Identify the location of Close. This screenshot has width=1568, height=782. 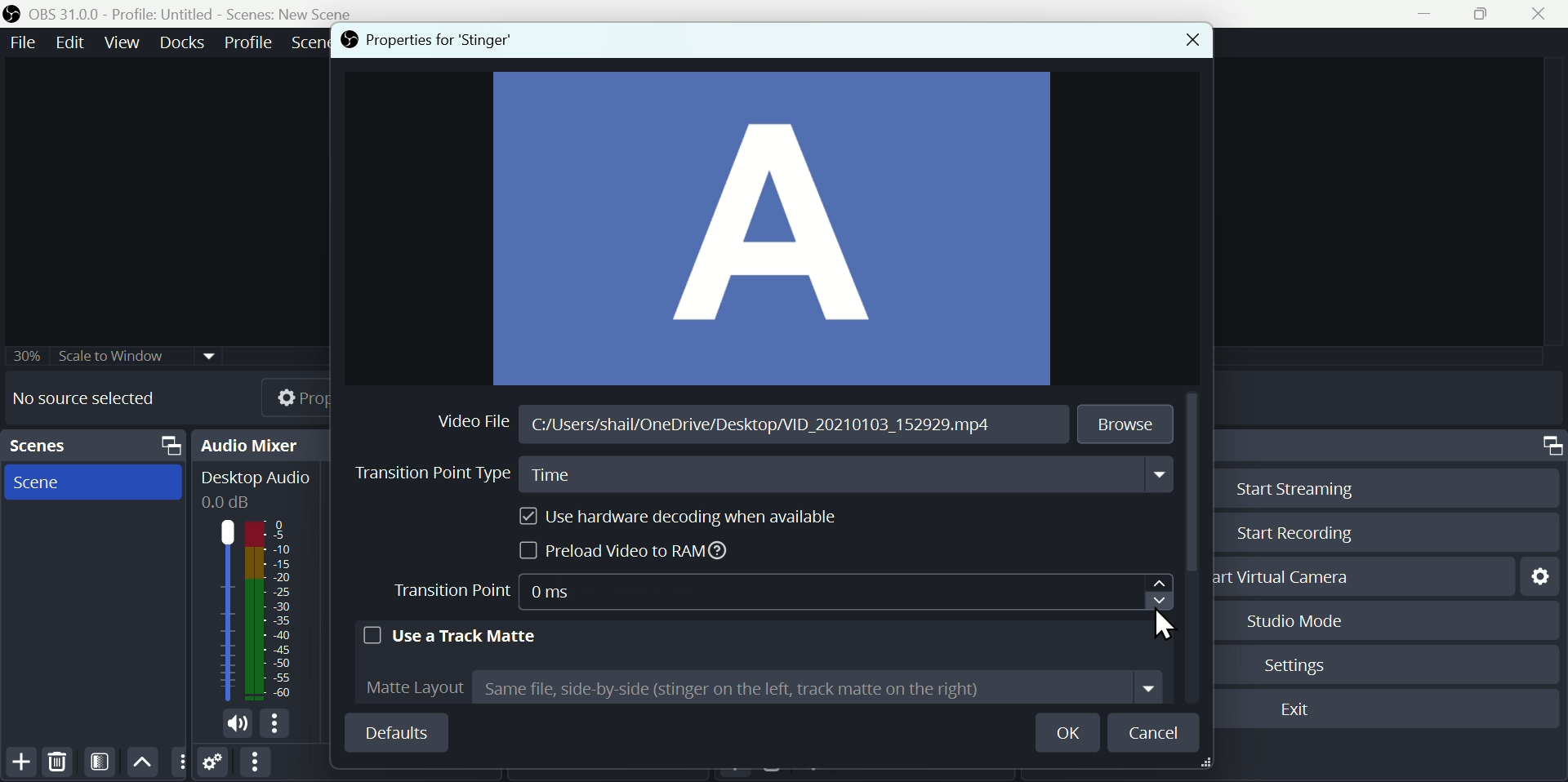
(1545, 13).